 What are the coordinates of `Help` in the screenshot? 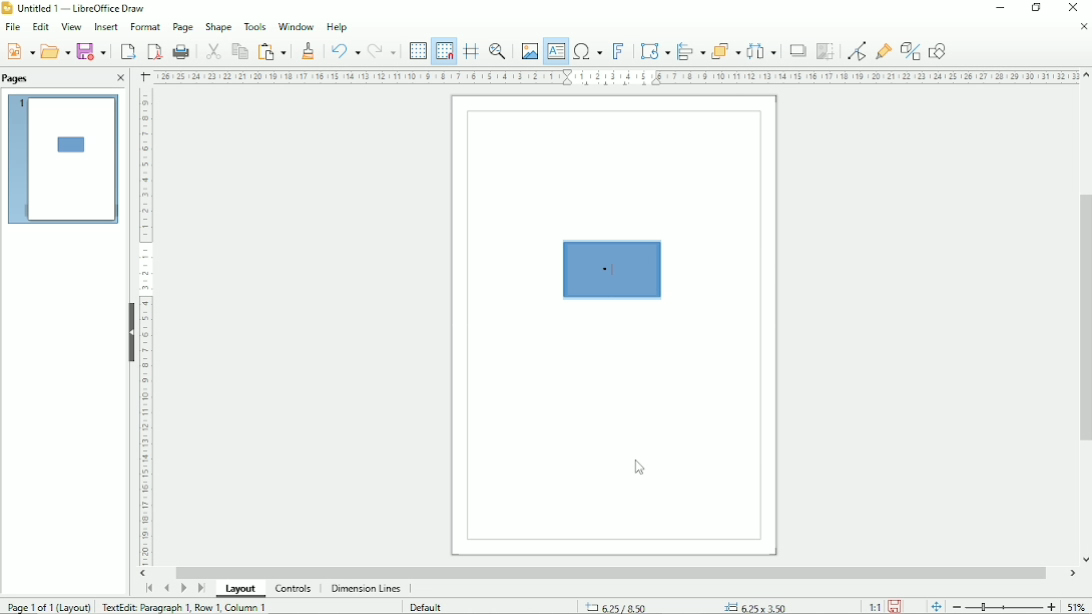 It's located at (336, 27).